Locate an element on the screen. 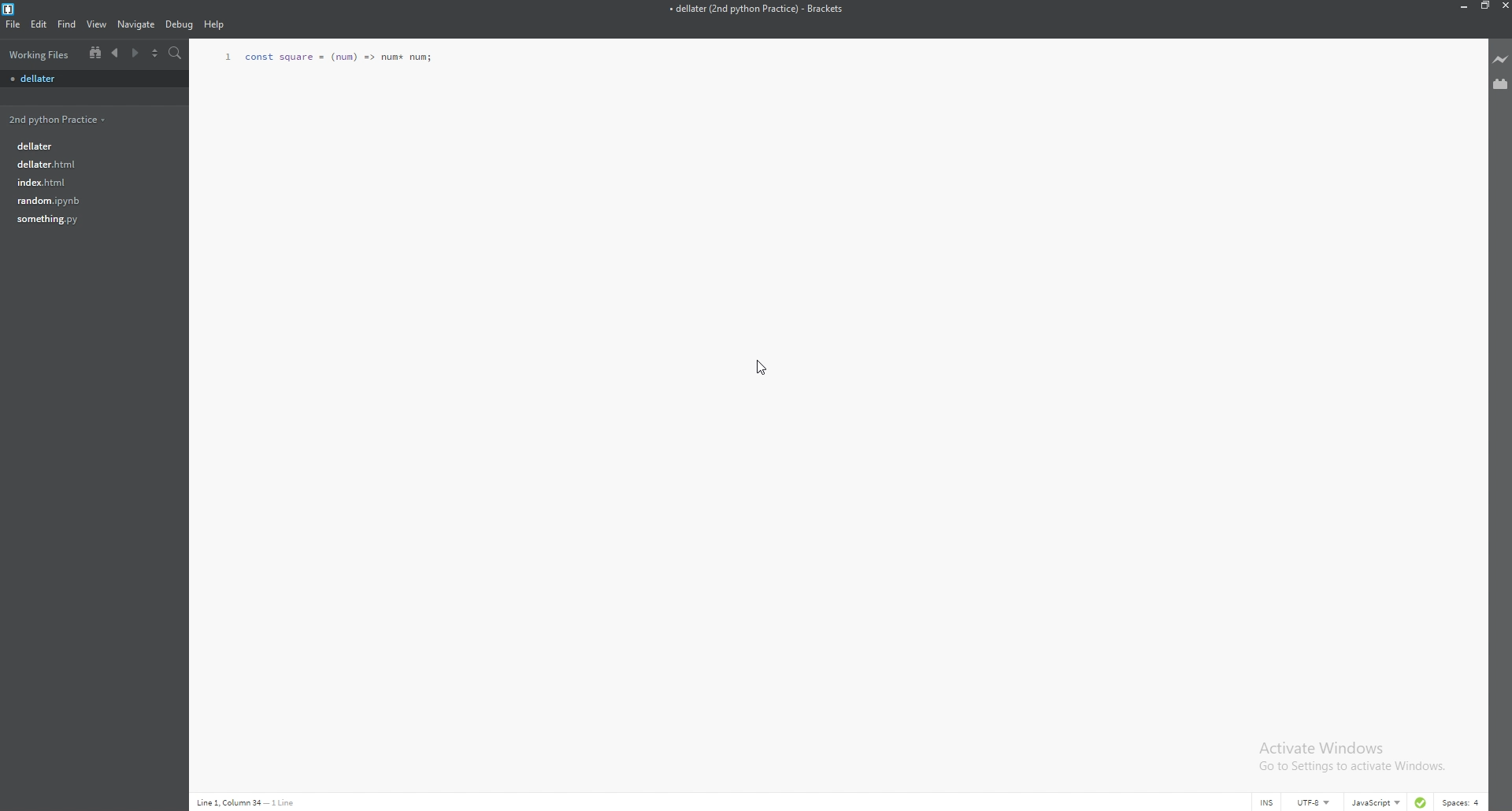 This screenshot has width=1512, height=811. encoding is located at coordinates (1314, 804).